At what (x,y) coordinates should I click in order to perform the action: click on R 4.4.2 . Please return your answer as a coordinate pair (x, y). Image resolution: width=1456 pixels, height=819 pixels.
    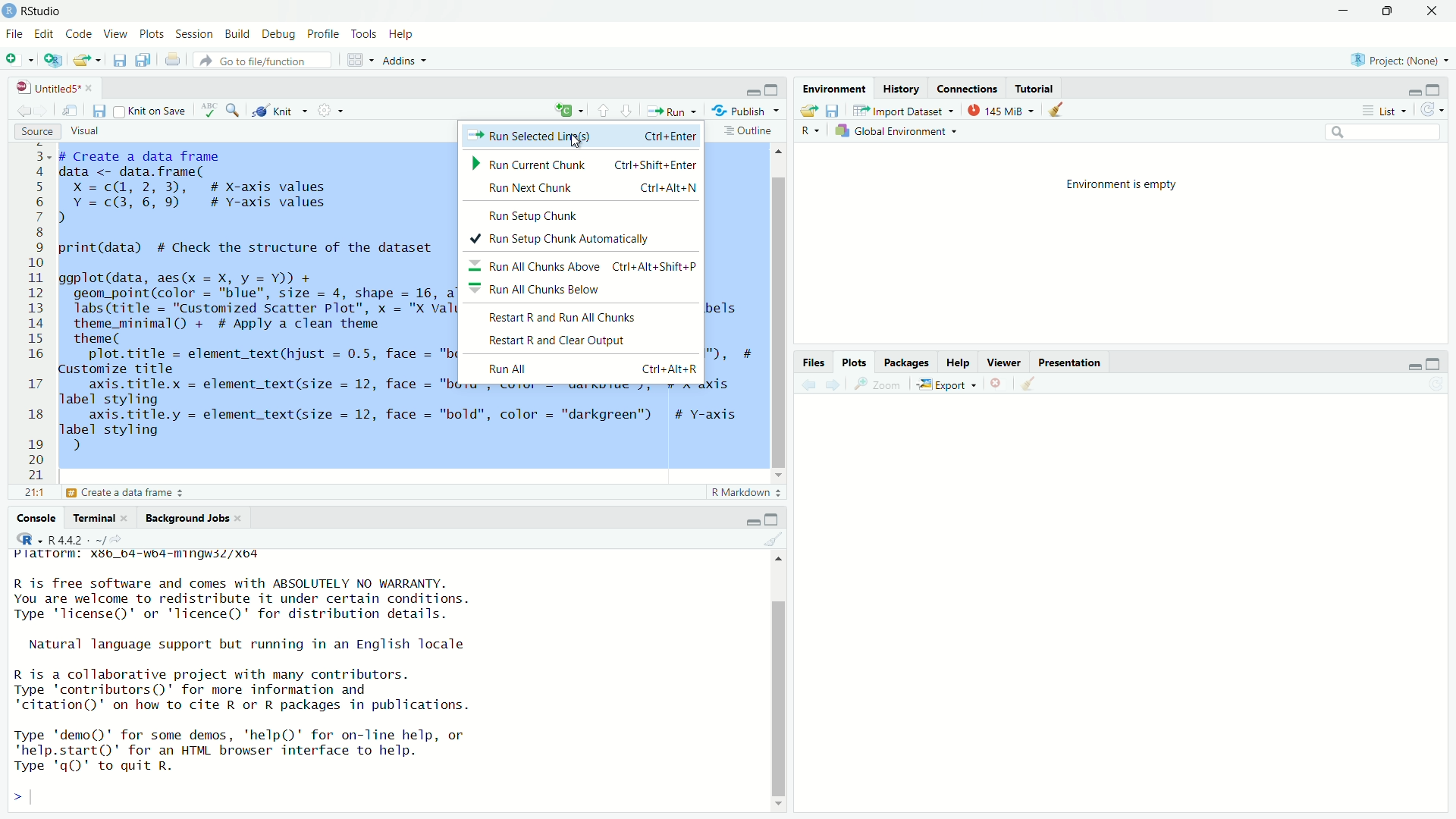
    Looking at the image, I should click on (67, 537).